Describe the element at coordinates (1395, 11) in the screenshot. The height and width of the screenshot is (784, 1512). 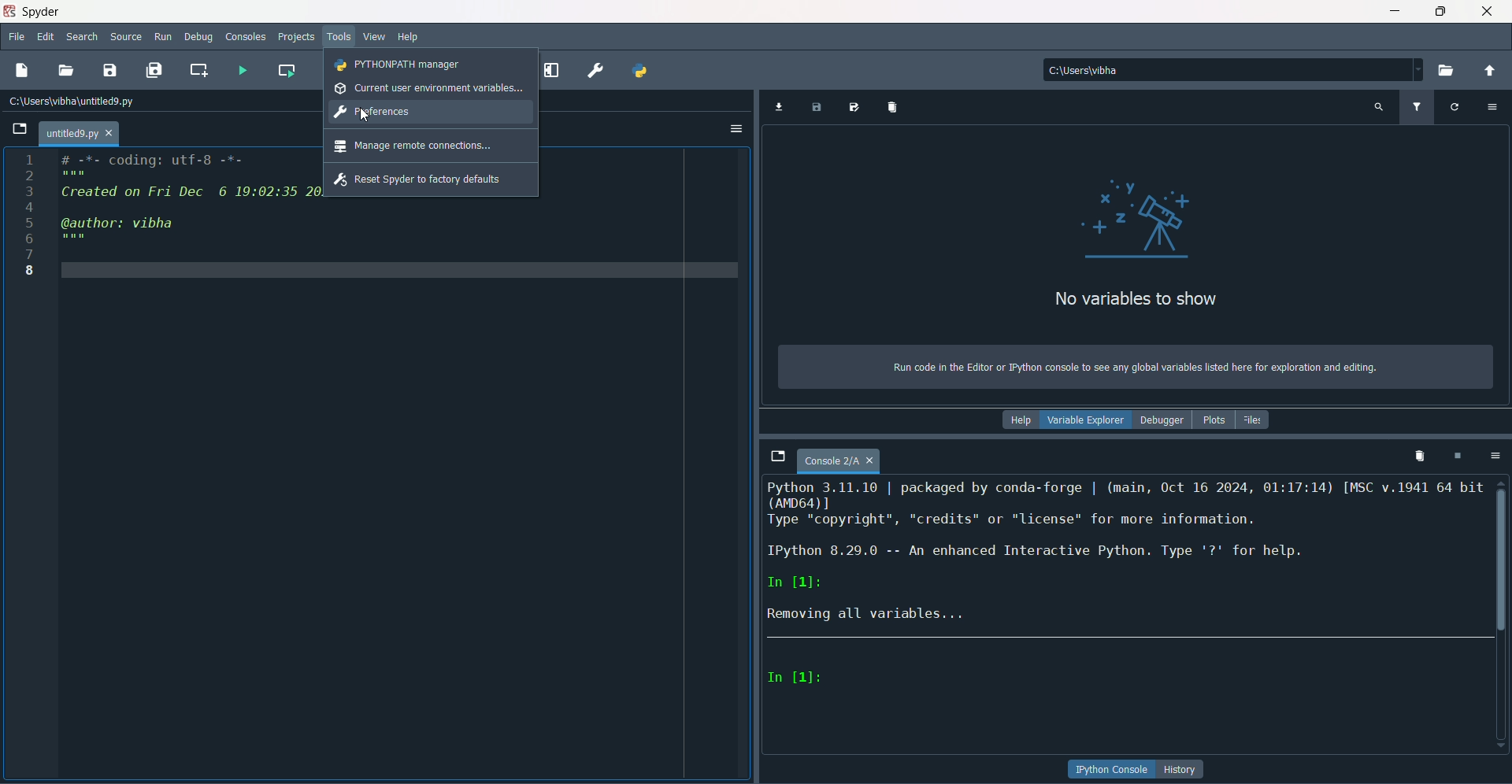
I see `minimize` at that location.